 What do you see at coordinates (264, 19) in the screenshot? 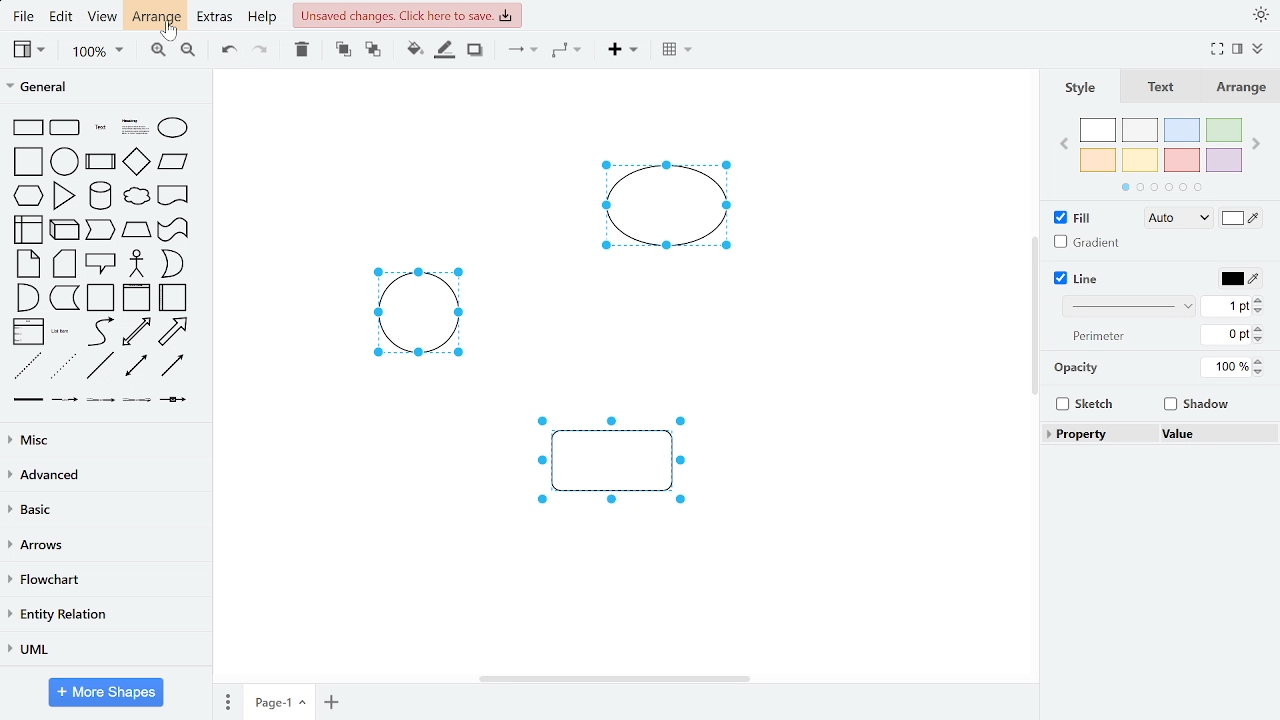
I see `help` at bounding box center [264, 19].